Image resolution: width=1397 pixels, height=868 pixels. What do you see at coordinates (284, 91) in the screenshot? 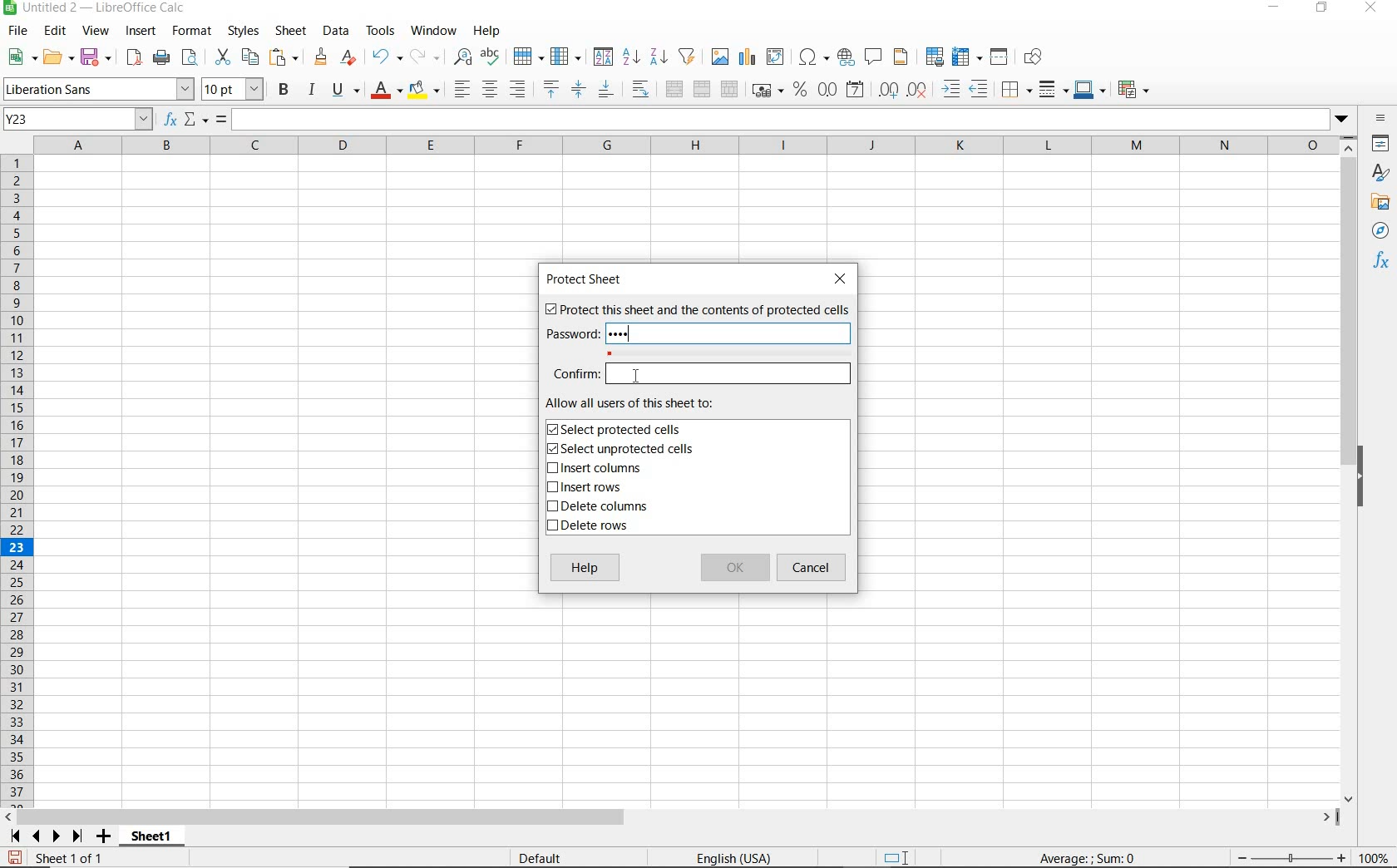
I see `BOLD` at bounding box center [284, 91].